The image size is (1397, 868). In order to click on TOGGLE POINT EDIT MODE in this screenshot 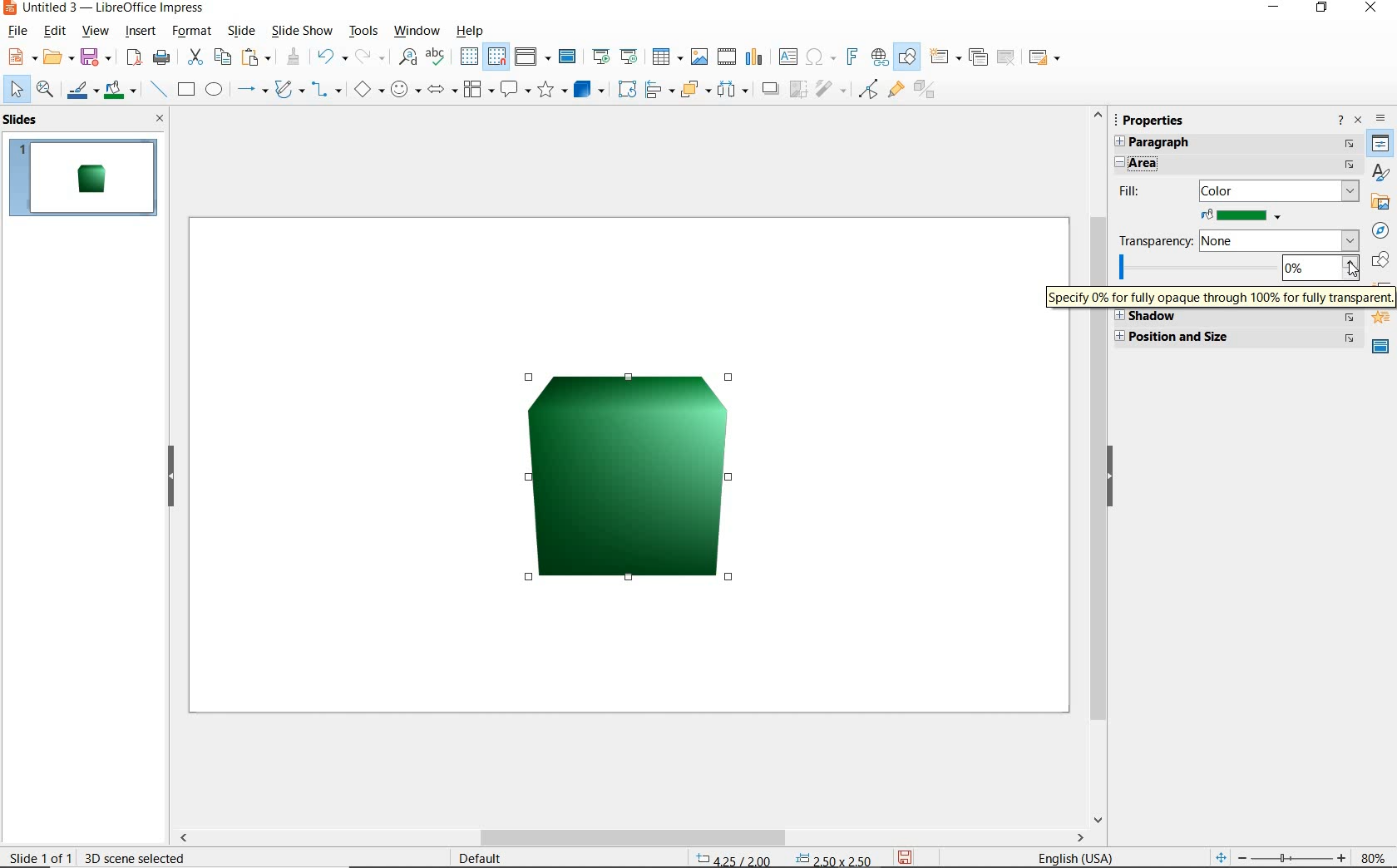, I will do `click(867, 89)`.